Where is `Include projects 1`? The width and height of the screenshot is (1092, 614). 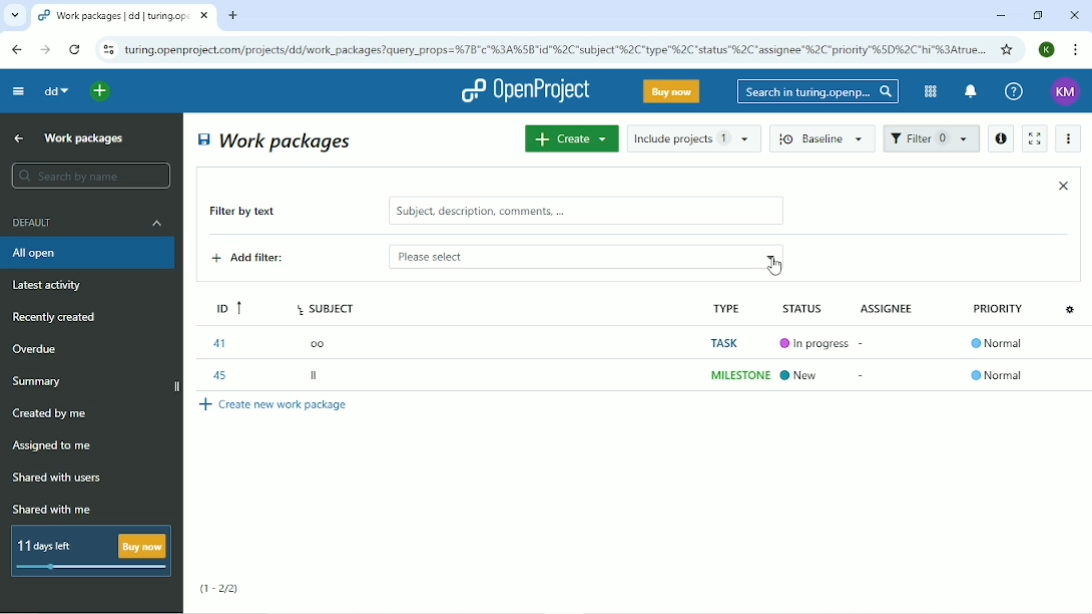
Include projects 1 is located at coordinates (694, 138).